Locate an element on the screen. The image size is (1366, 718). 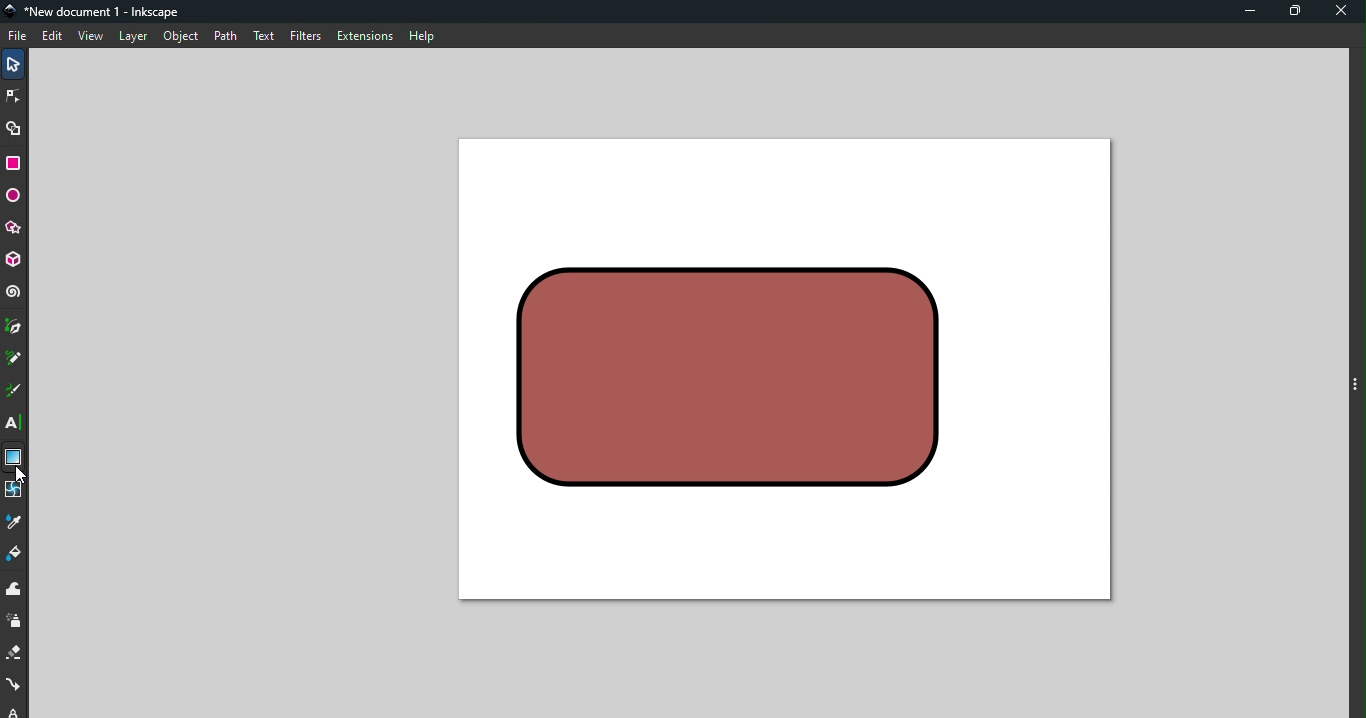
Rectangle tool is located at coordinates (17, 163).